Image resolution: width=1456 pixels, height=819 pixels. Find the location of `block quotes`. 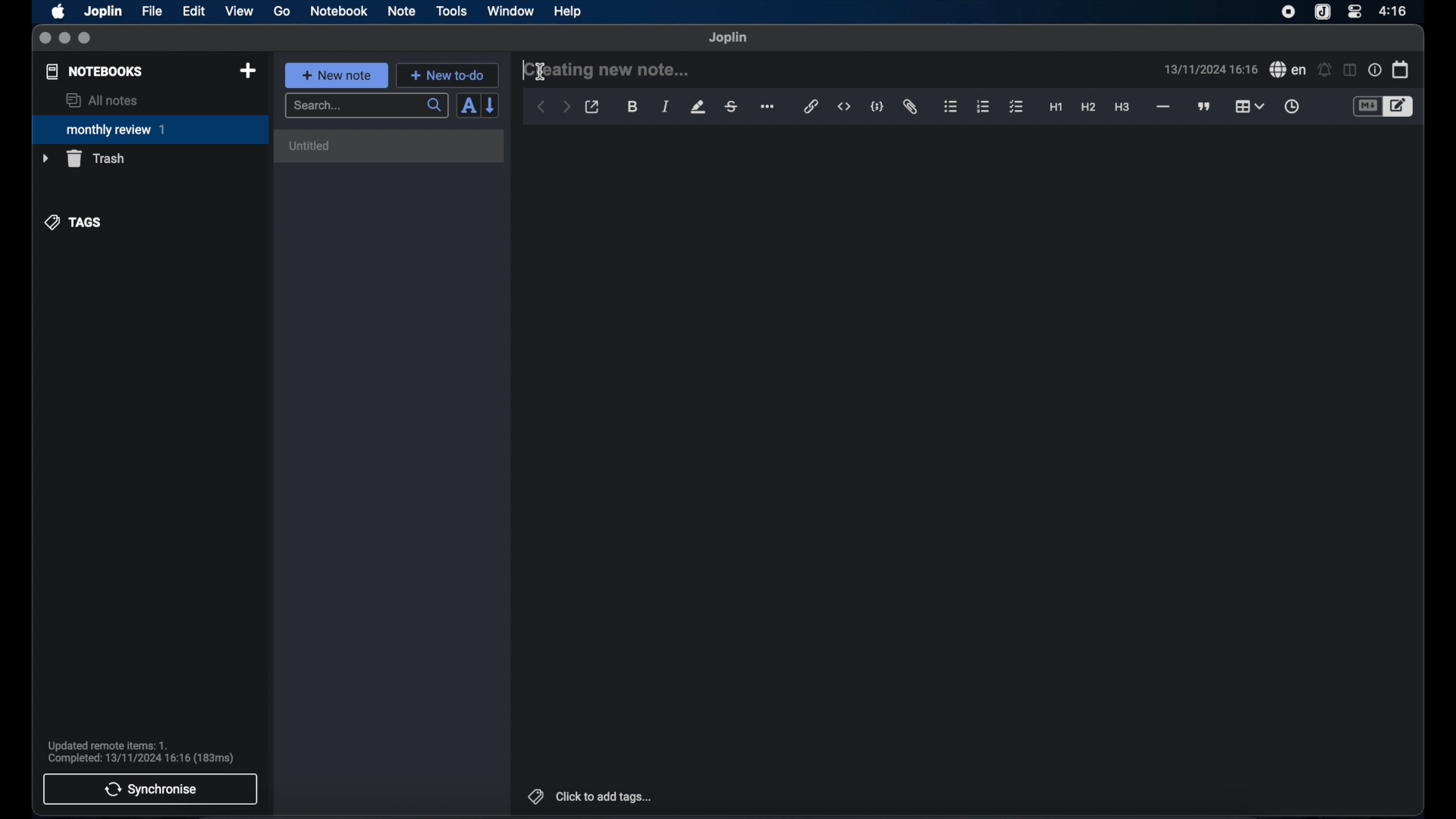

block quotes is located at coordinates (1205, 107).